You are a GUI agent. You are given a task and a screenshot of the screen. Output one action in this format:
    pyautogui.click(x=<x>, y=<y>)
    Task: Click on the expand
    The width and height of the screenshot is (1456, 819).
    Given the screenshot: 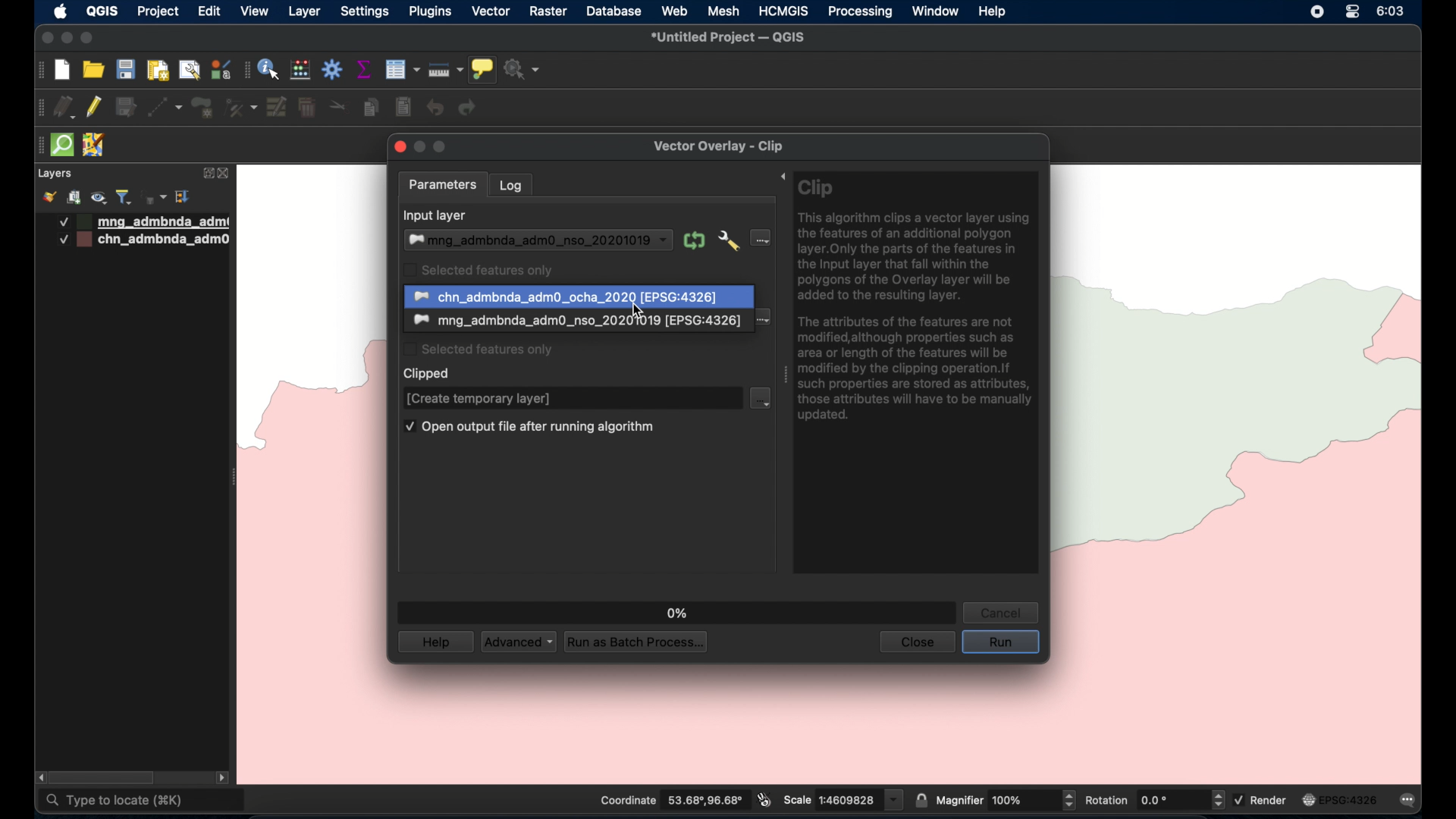 What is the action you would take?
    pyautogui.click(x=778, y=177)
    